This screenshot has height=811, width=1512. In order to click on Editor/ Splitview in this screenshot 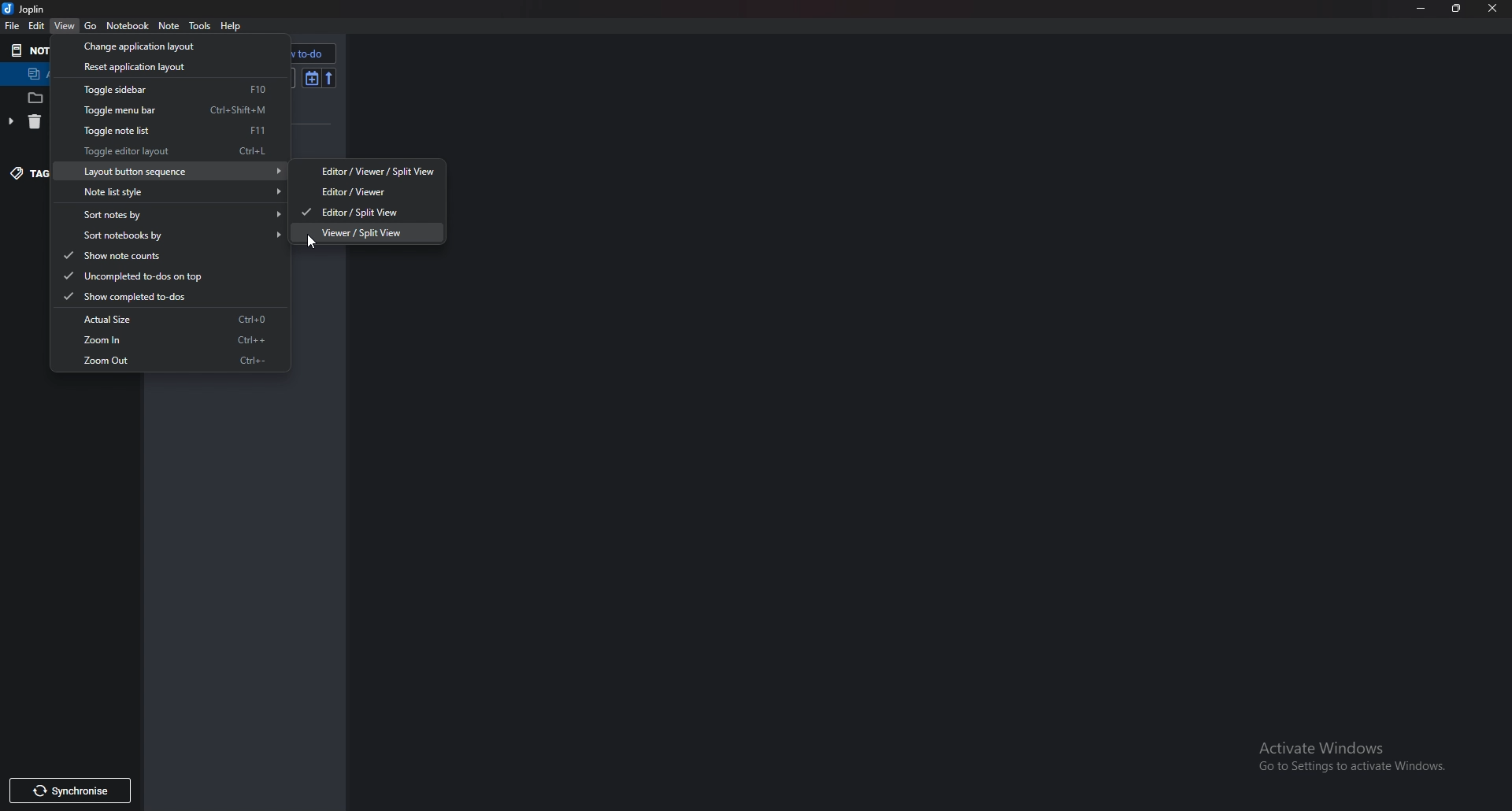, I will do `click(363, 212)`.